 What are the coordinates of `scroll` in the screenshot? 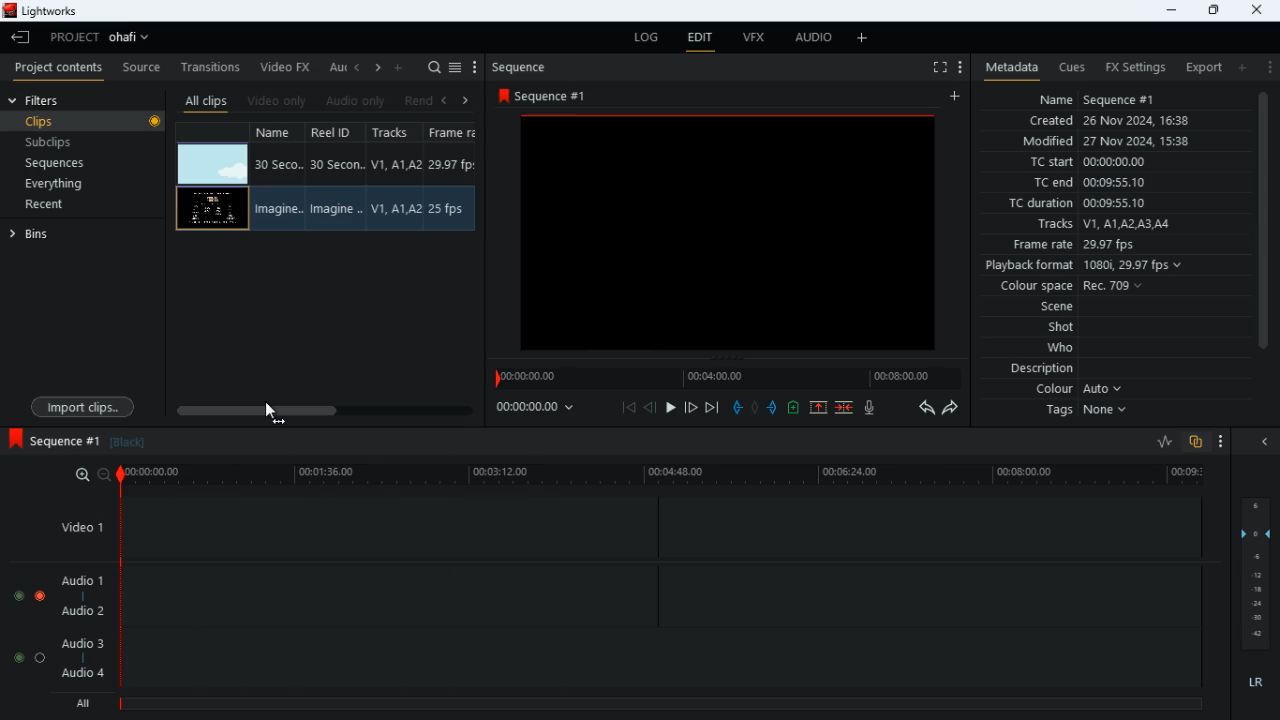 It's located at (322, 410).